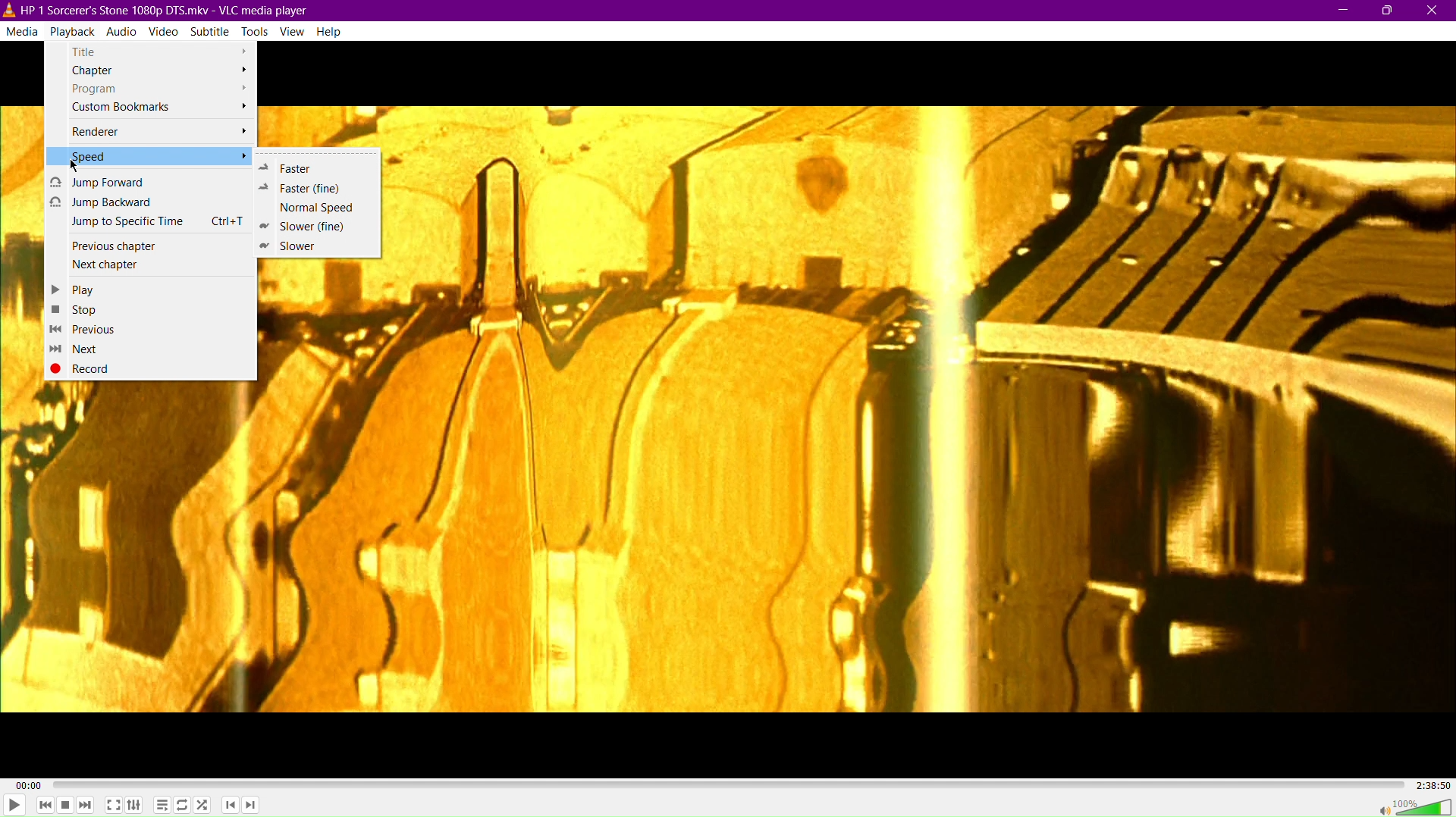 The image size is (1456, 817). What do you see at coordinates (84, 329) in the screenshot?
I see `Previous` at bounding box center [84, 329].